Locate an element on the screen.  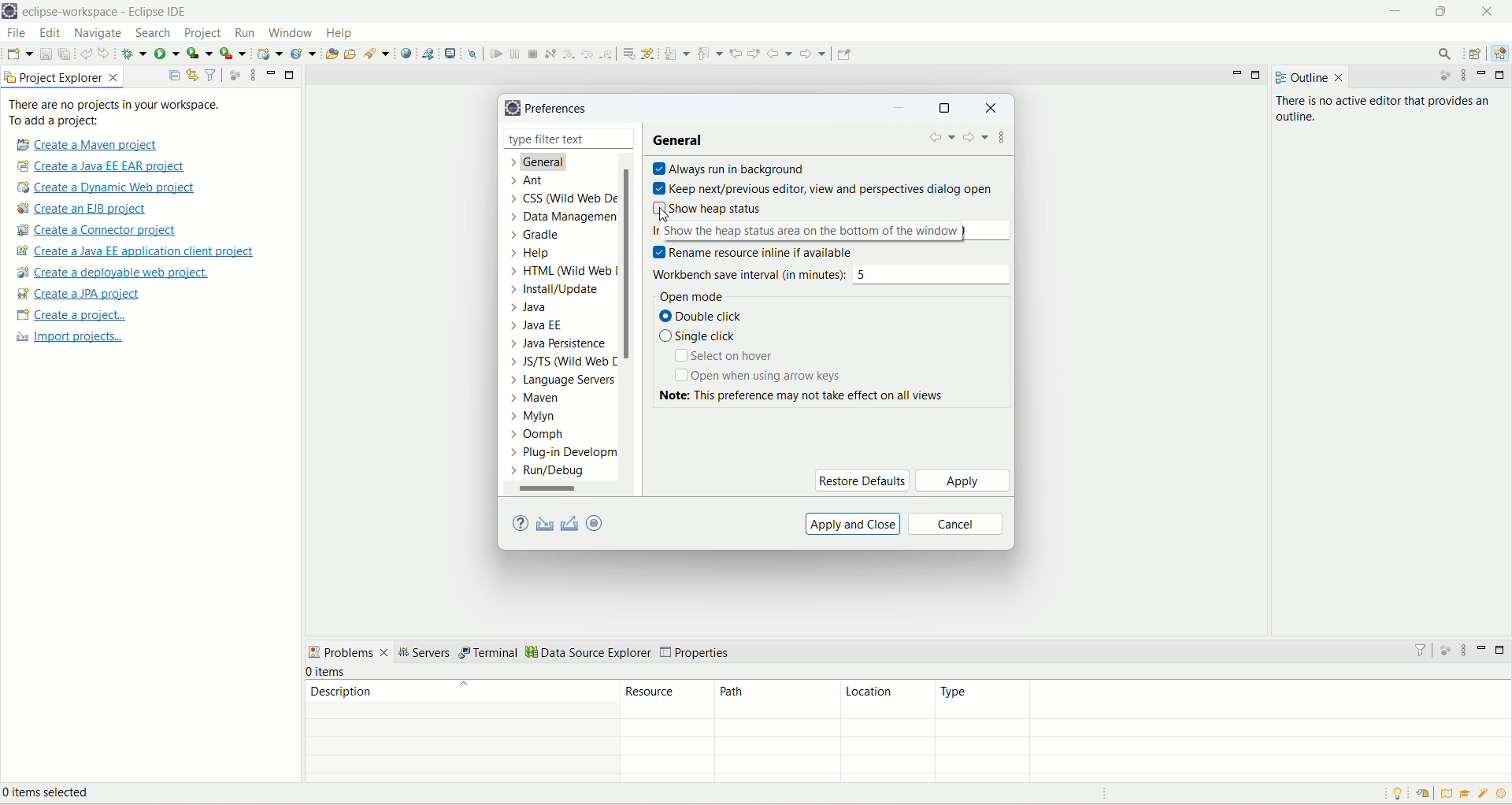
mayer is located at coordinates (539, 400).